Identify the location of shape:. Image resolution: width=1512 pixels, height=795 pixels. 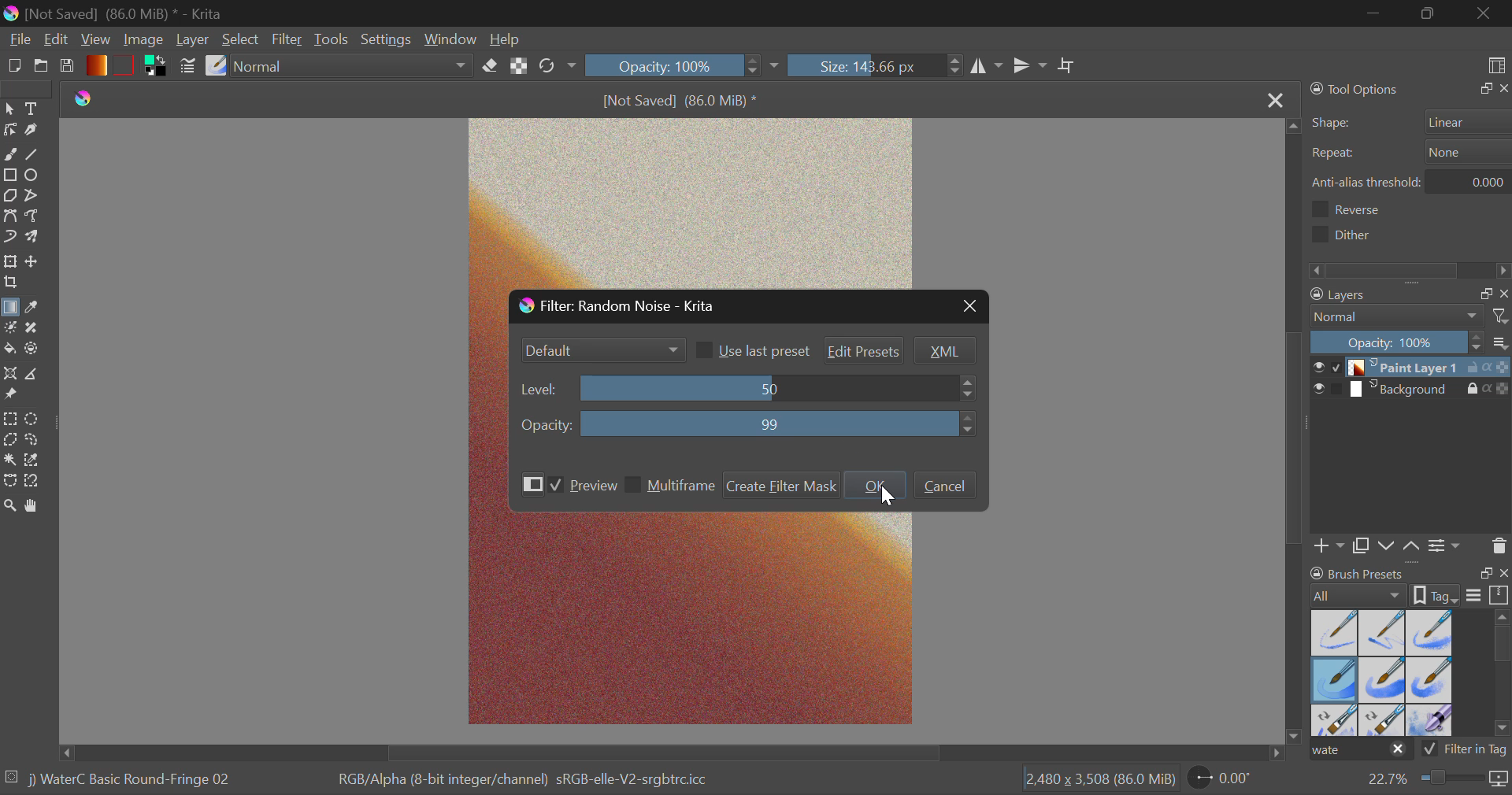
(1333, 124).